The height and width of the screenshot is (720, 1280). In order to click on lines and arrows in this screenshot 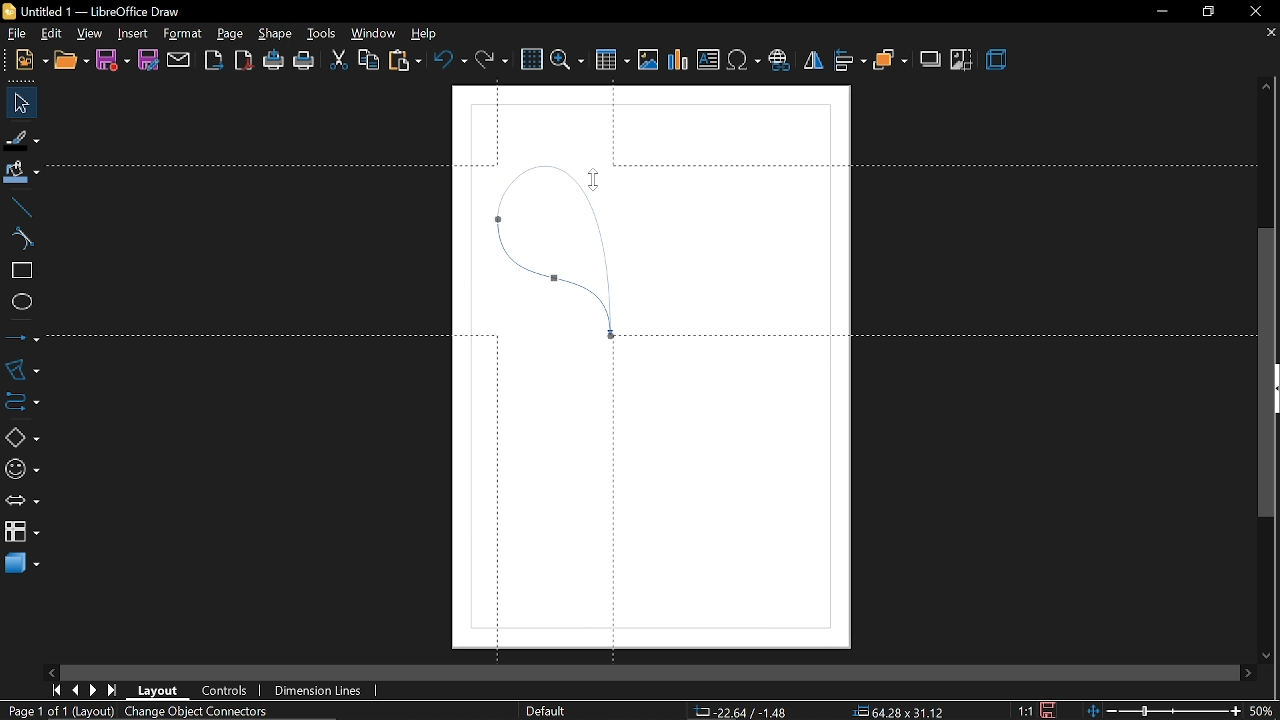, I will do `click(22, 337)`.